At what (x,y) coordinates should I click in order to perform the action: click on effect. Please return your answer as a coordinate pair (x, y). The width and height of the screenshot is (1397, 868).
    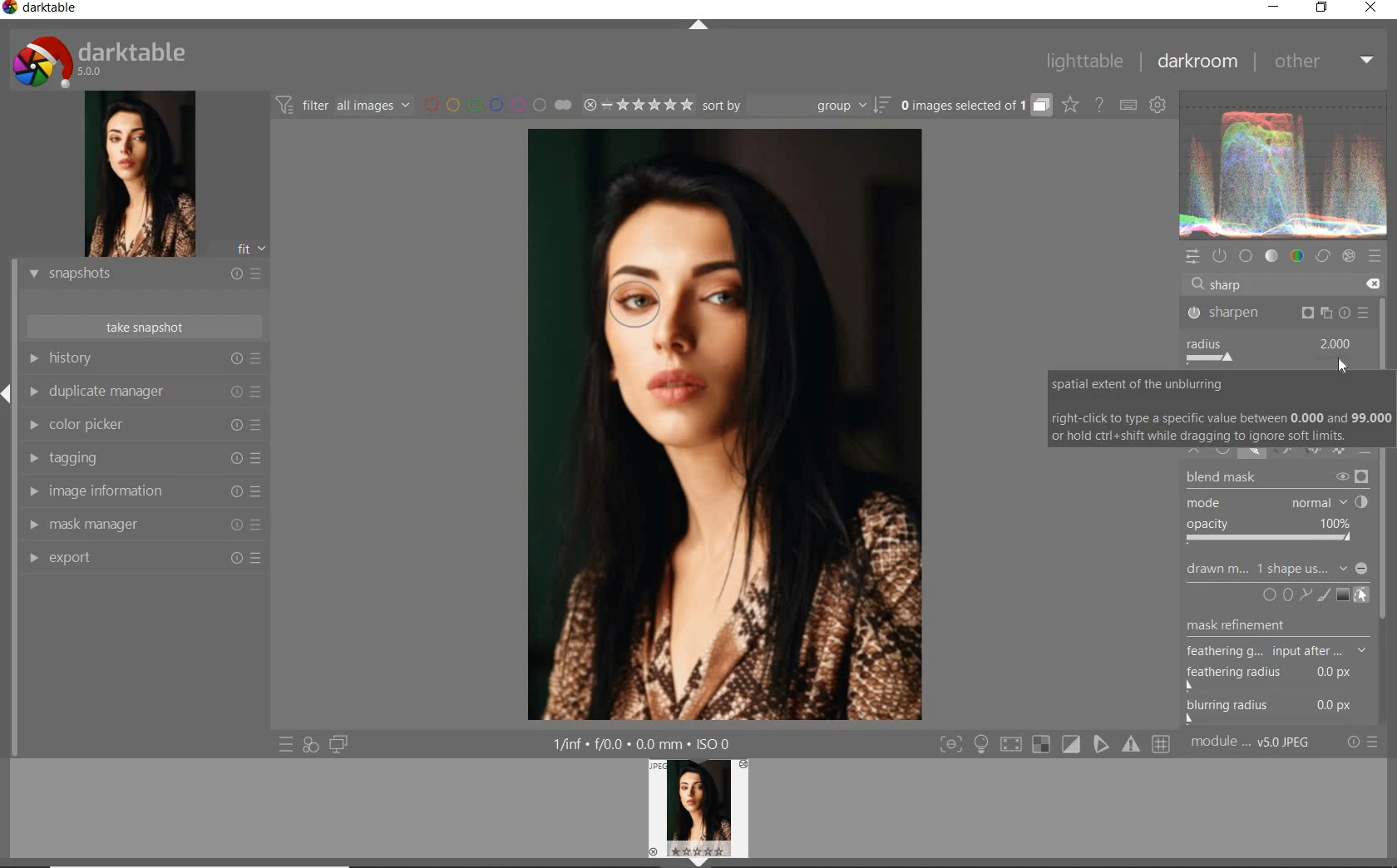
    Looking at the image, I should click on (1349, 258).